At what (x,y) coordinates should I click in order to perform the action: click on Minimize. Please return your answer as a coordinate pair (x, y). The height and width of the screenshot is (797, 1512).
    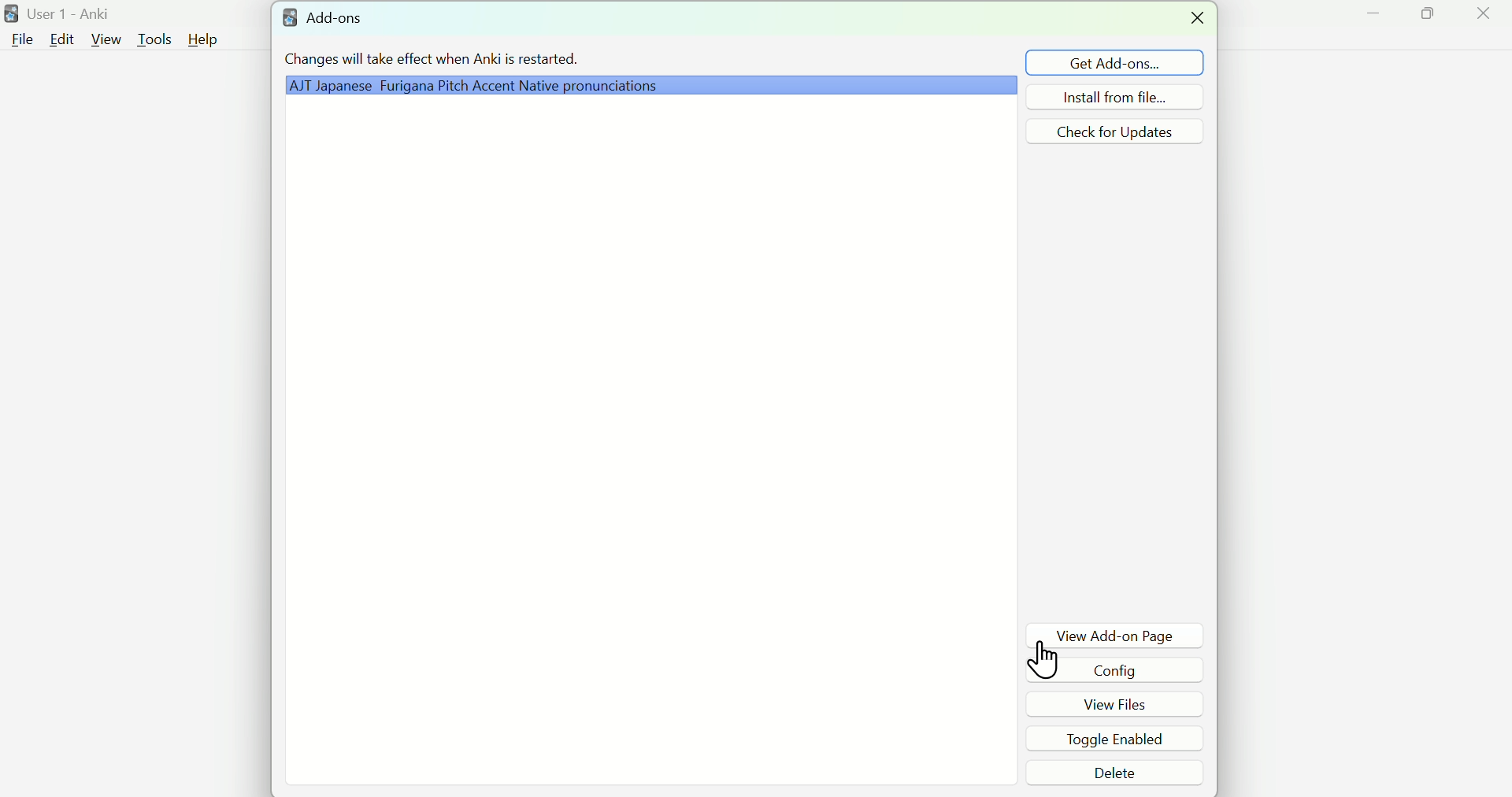
    Looking at the image, I should click on (1380, 21).